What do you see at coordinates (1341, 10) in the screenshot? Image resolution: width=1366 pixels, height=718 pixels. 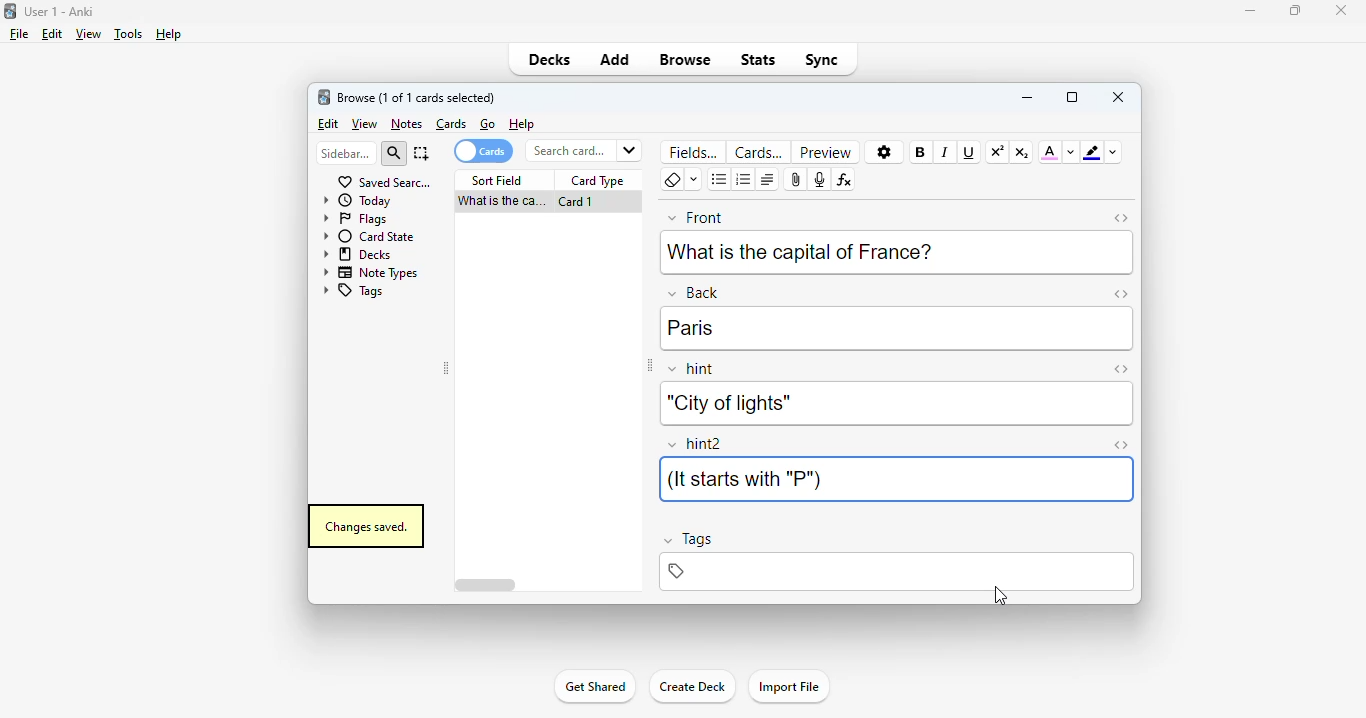 I see `close` at bounding box center [1341, 10].